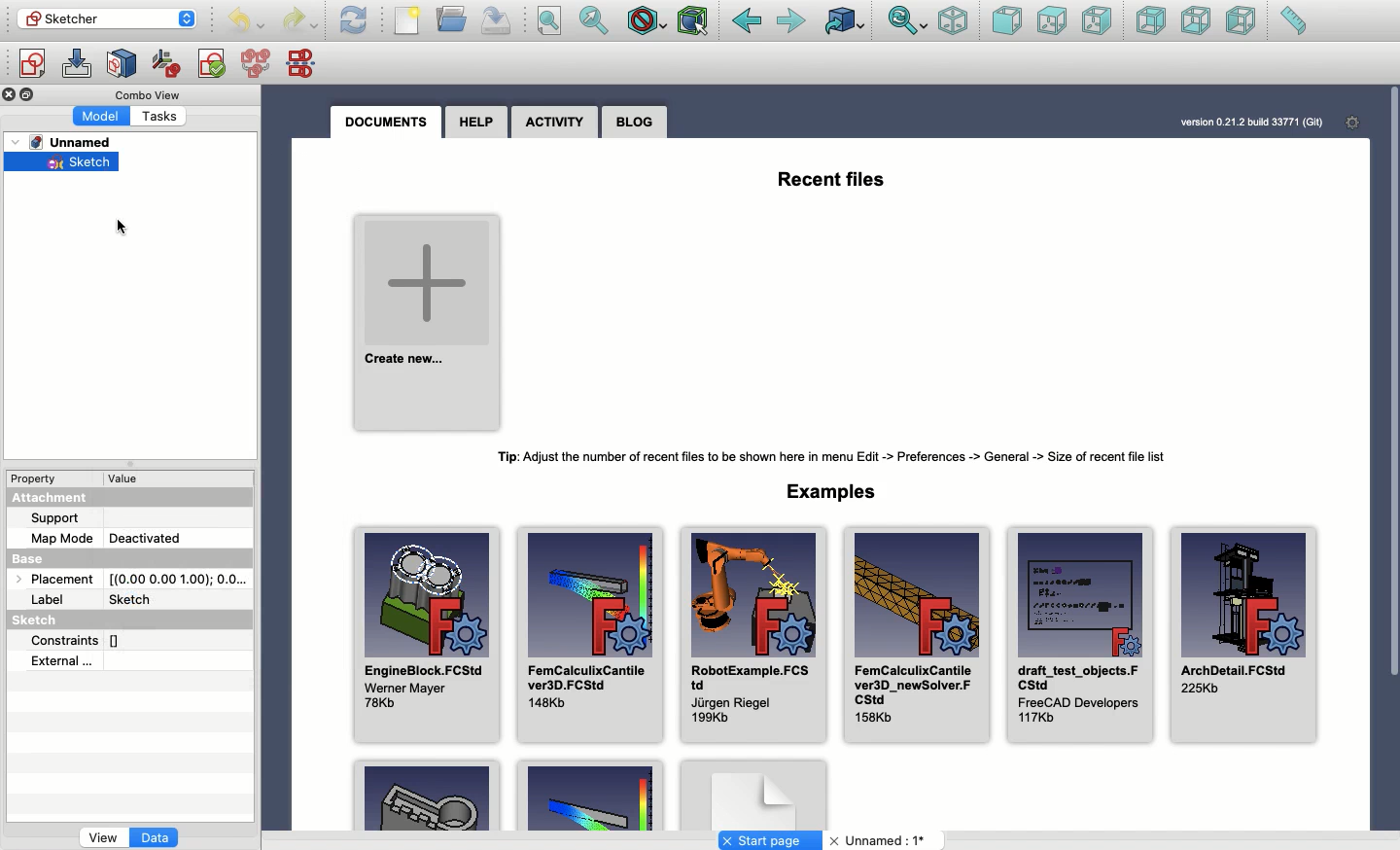 The image size is (1400, 850). Describe the element at coordinates (770, 840) in the screenshot. I see `Start page` at that location.